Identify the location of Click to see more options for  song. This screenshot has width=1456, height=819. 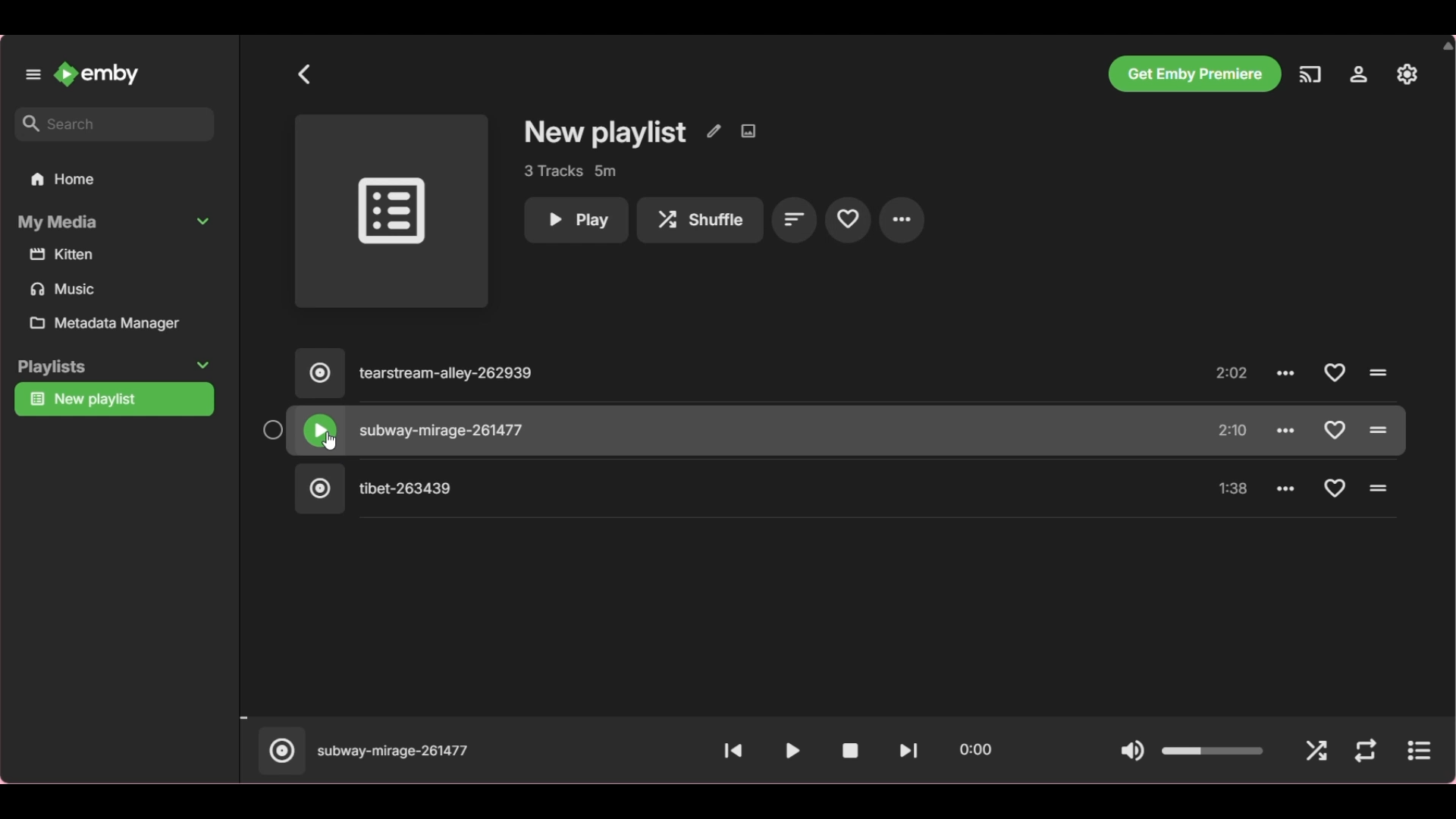
(1286, 487).